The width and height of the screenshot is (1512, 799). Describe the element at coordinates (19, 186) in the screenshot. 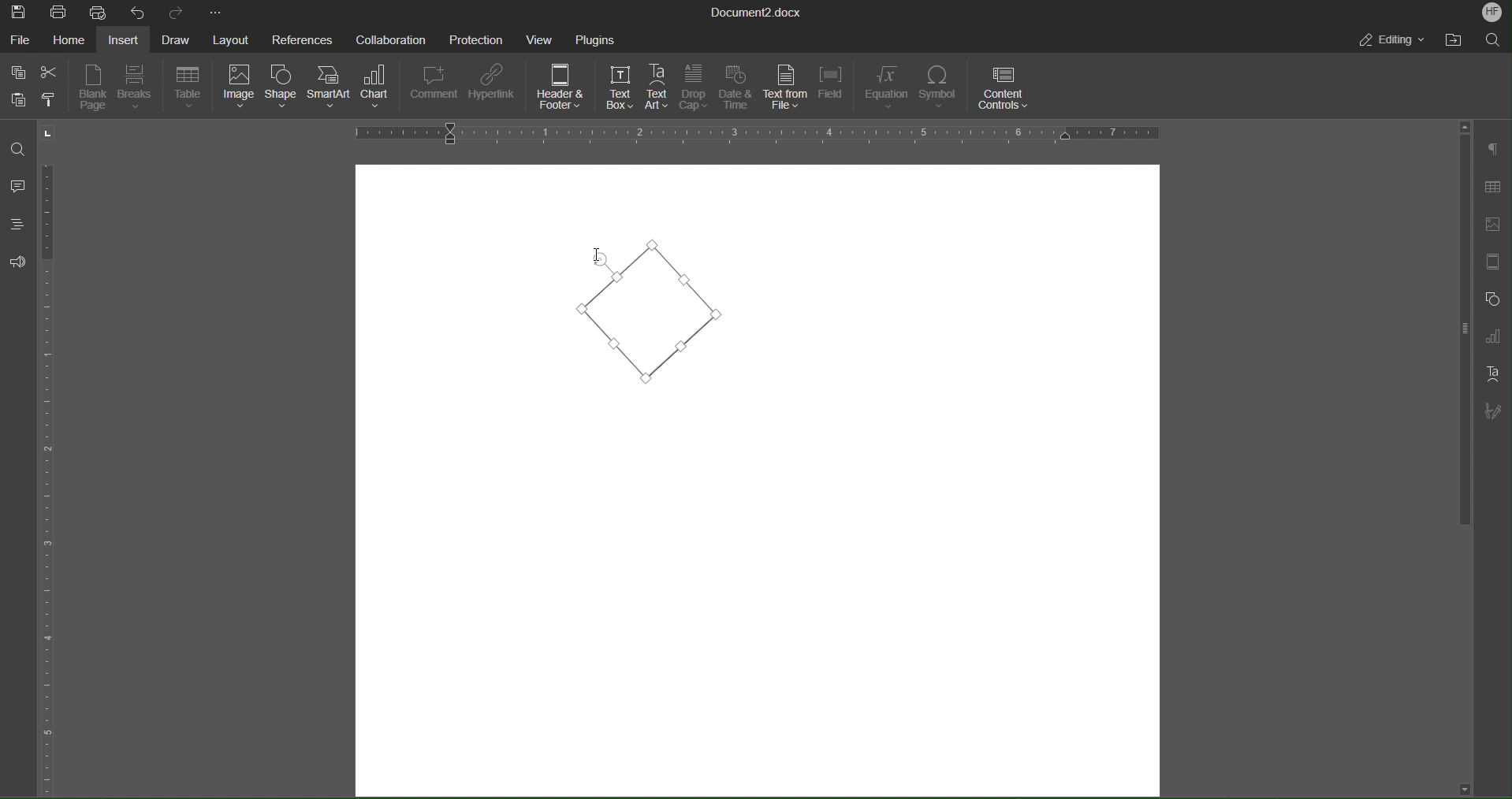

I see `Comments` at that location.